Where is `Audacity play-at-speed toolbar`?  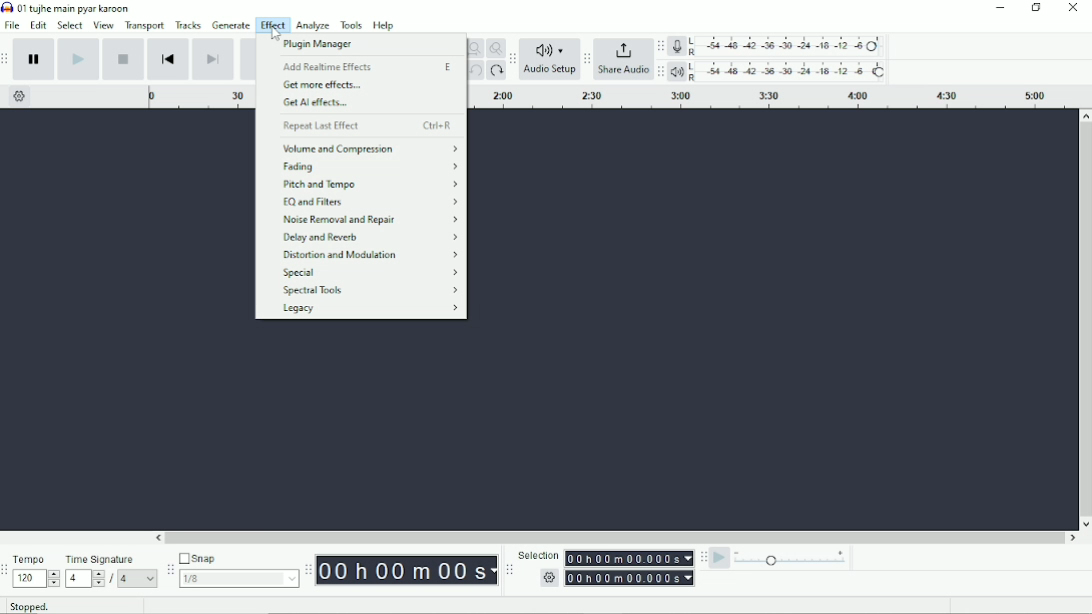 Audacity play-at-speed toolbar is located at coordinates (702, 558).